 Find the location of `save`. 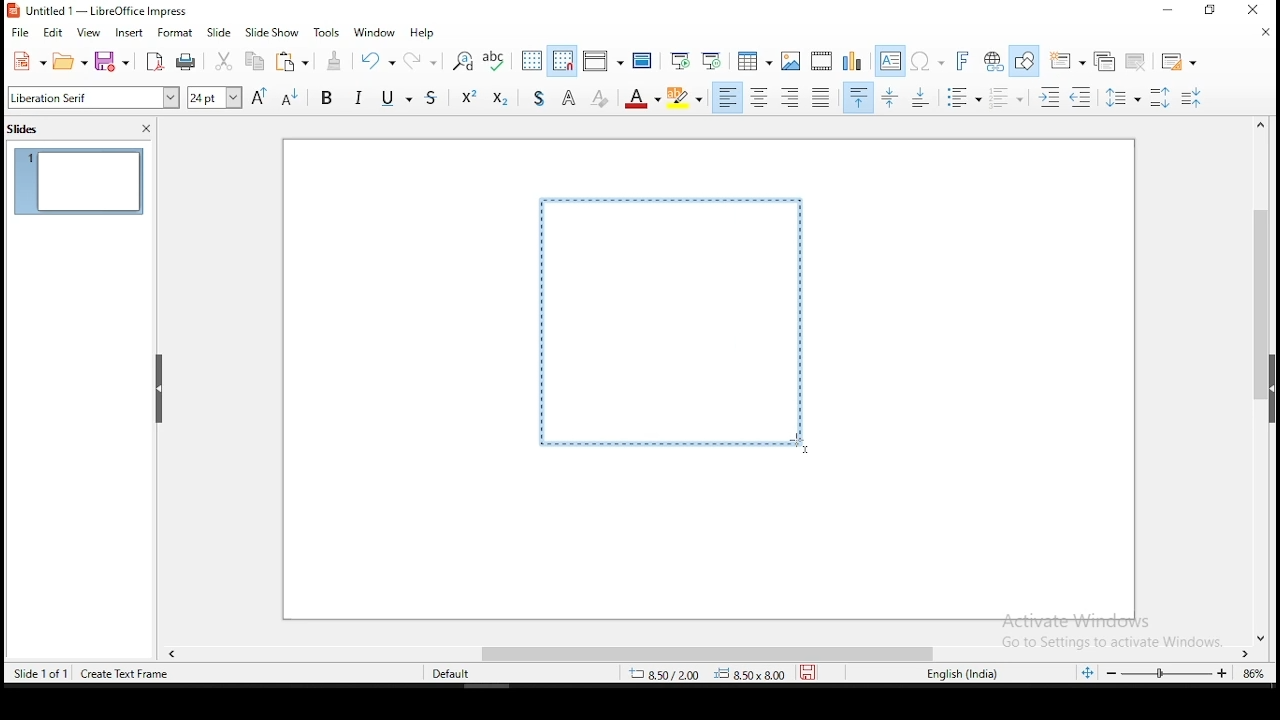

save is located at coordinates (112, 60).